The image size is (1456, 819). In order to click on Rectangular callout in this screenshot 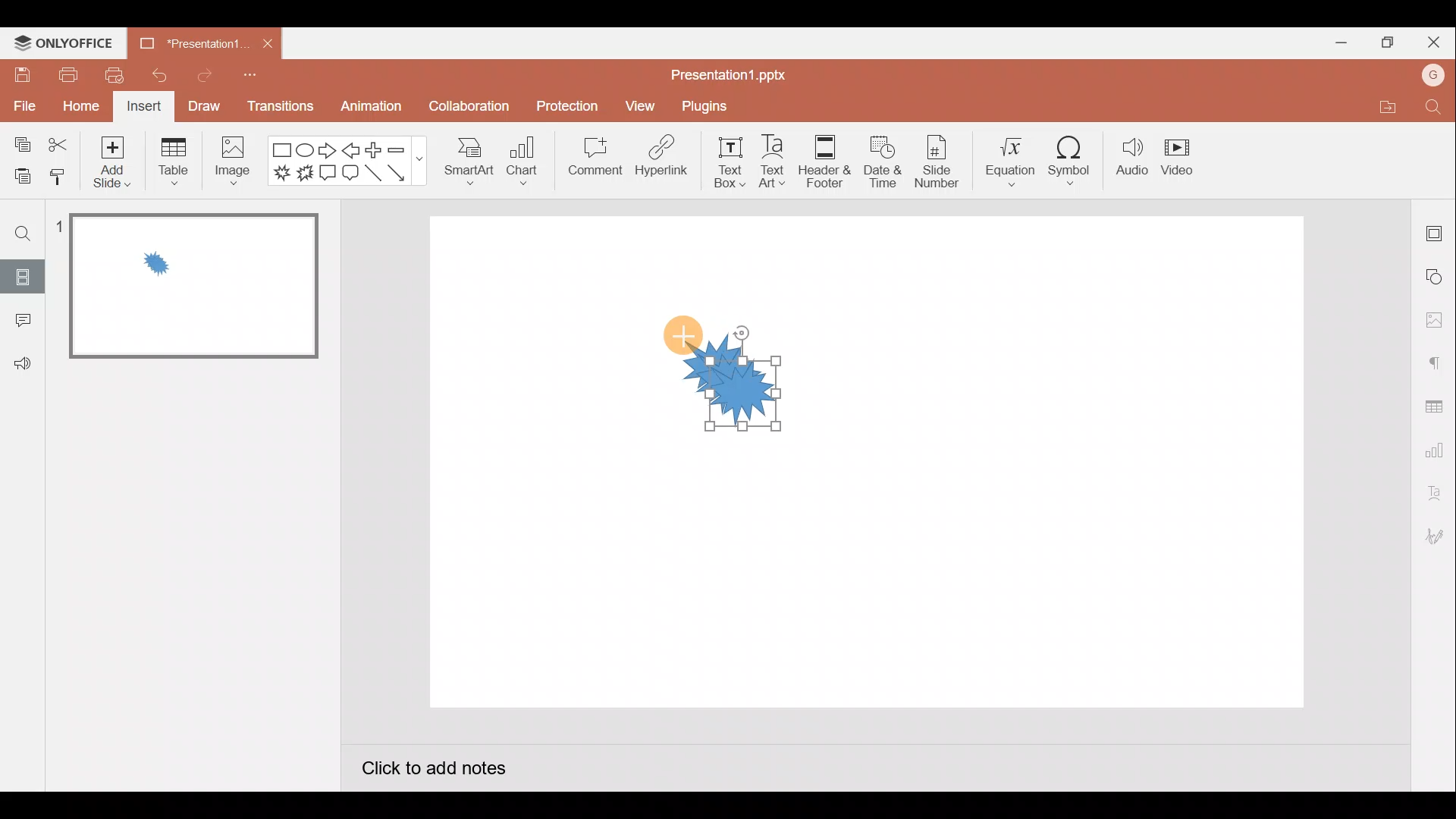, I will do `click(329, 175)`.